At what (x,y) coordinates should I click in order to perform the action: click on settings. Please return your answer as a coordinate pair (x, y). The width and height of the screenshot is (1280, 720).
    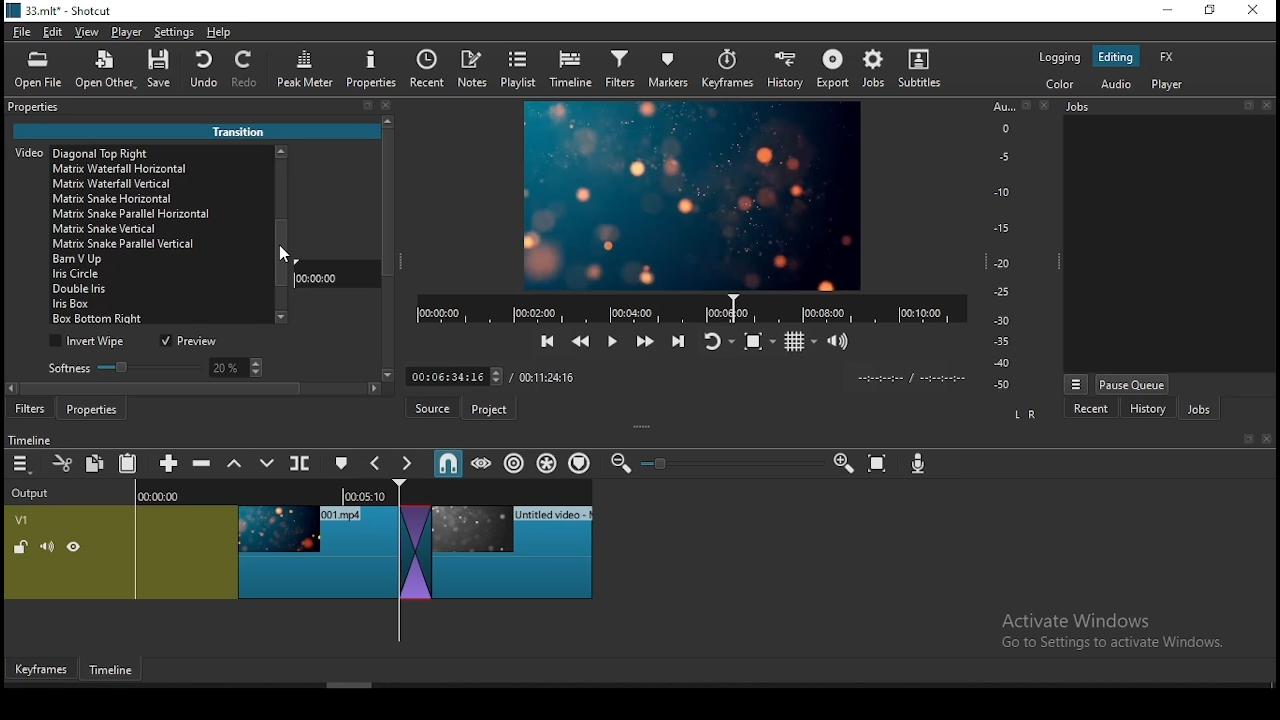
    Looking at the image, I should click on (175, 35).